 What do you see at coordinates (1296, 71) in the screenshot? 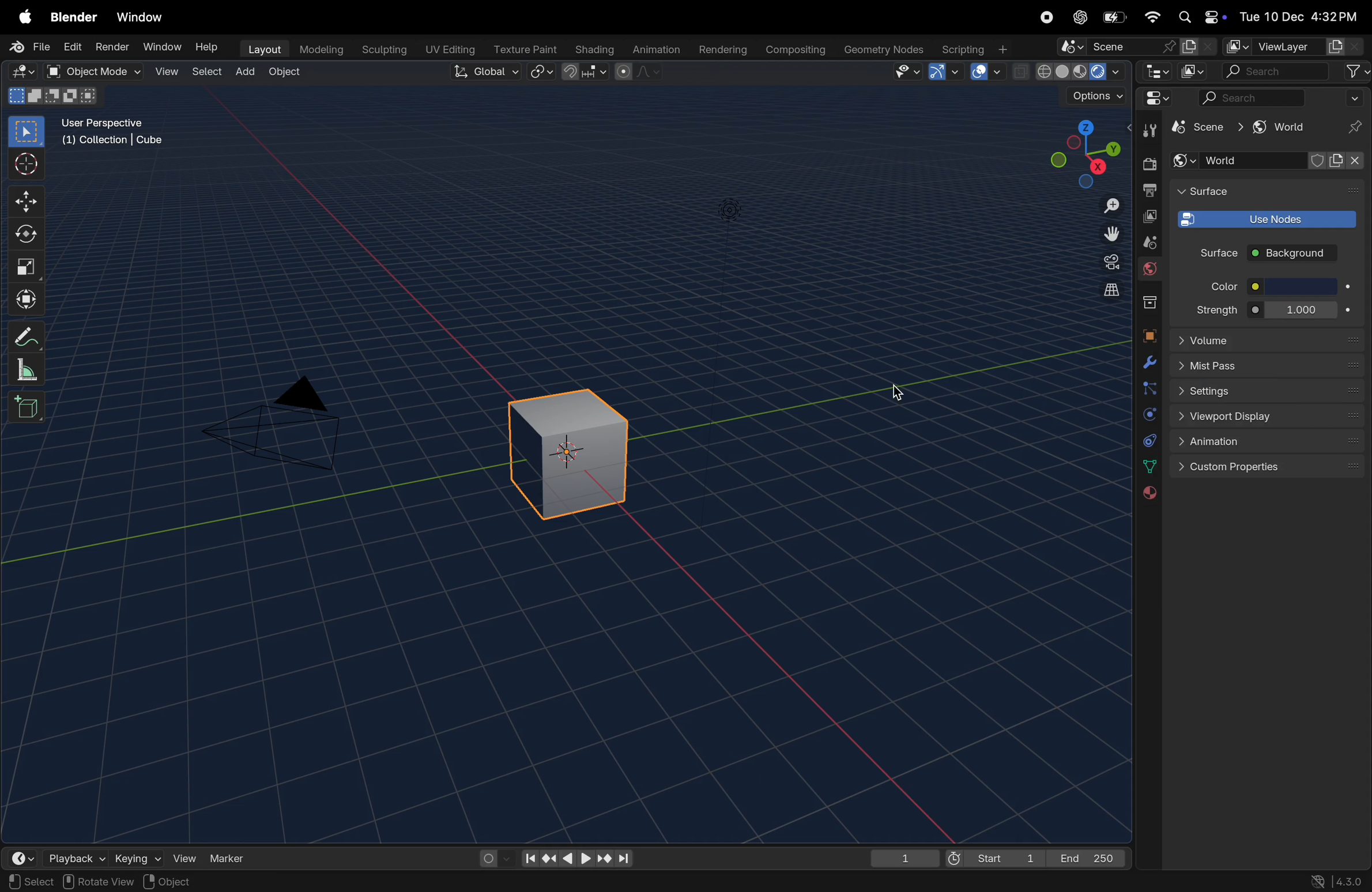
I see `search` at bounding box center [1296, 71].